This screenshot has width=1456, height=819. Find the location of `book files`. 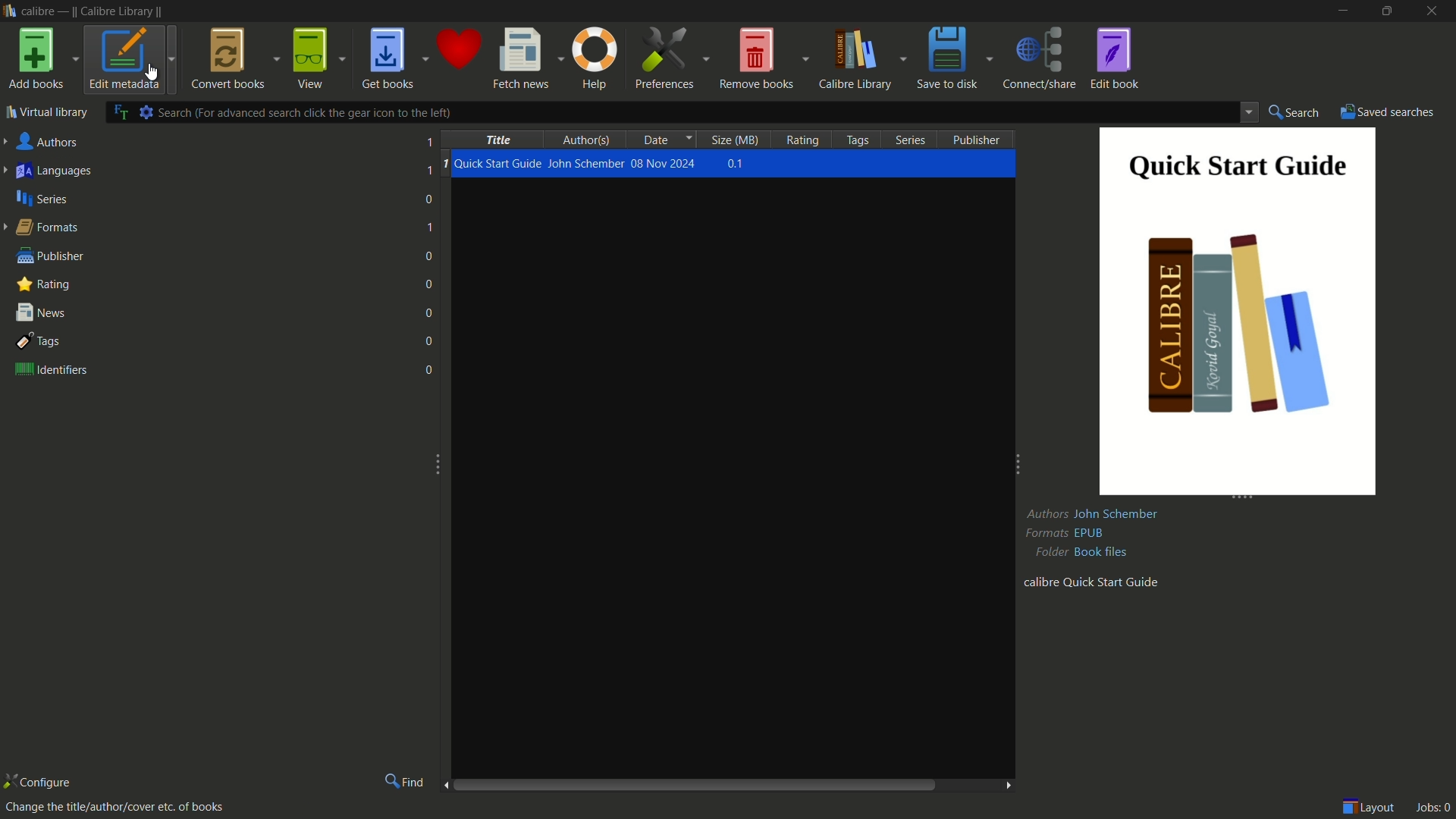

book files is located at coordinates (1105, 552).